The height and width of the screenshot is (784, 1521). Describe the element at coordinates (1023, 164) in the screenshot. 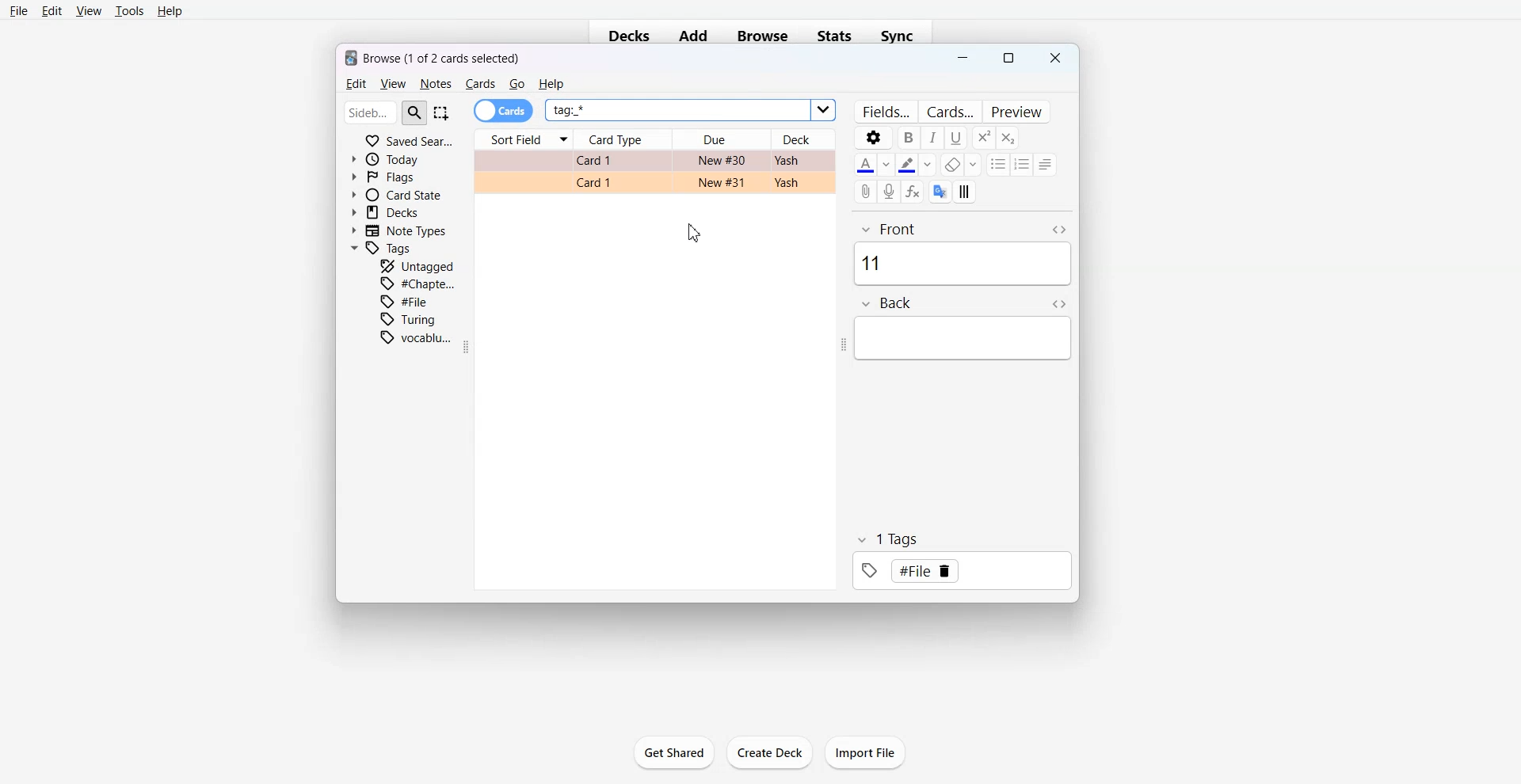

I see `Ordered List ` at that location.